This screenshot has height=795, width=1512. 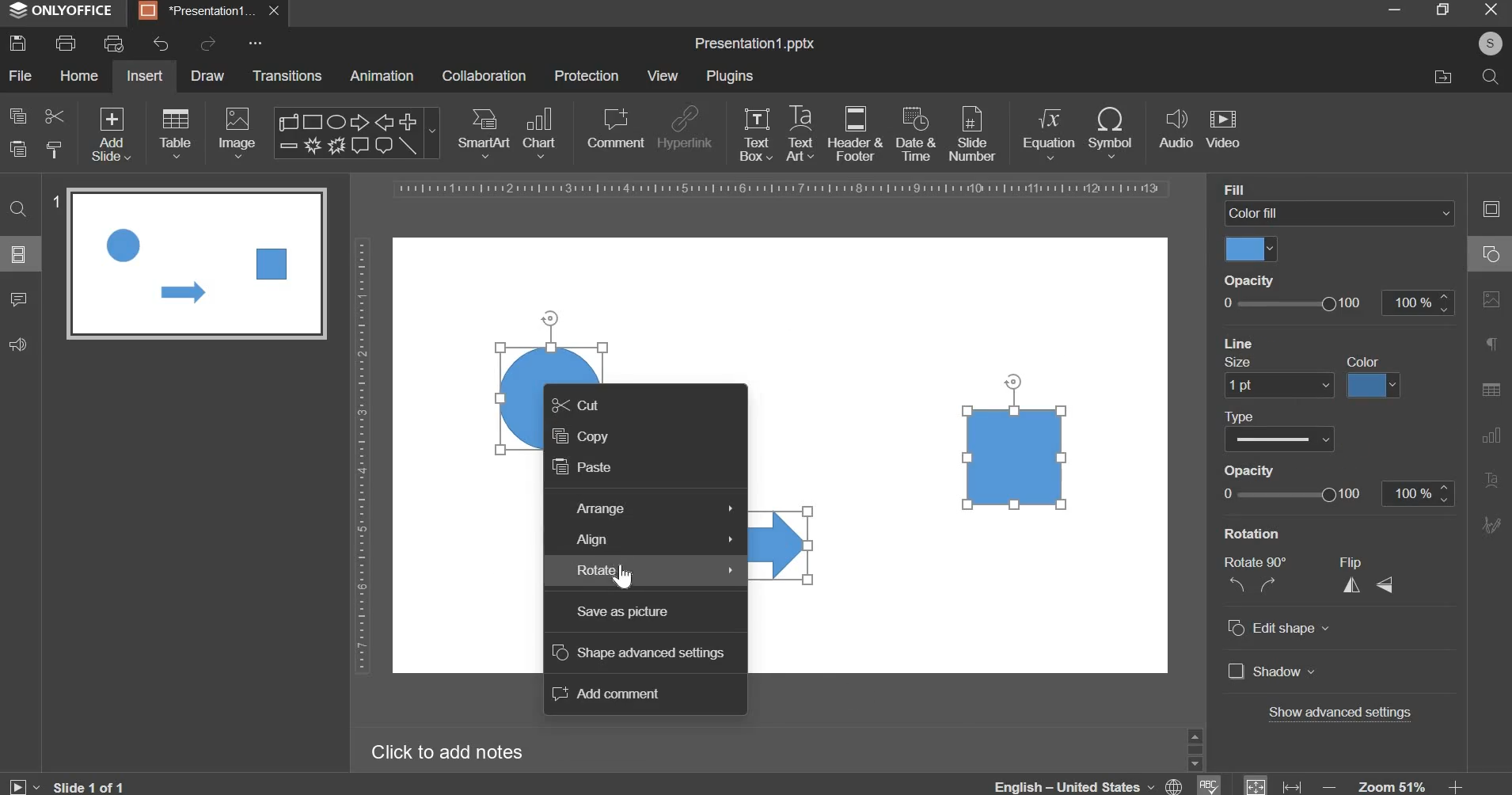 What do you see at coordinates (1260, 562) in the screenshot?
I see `Rotate 90°` at bounding box center [1260, 562].